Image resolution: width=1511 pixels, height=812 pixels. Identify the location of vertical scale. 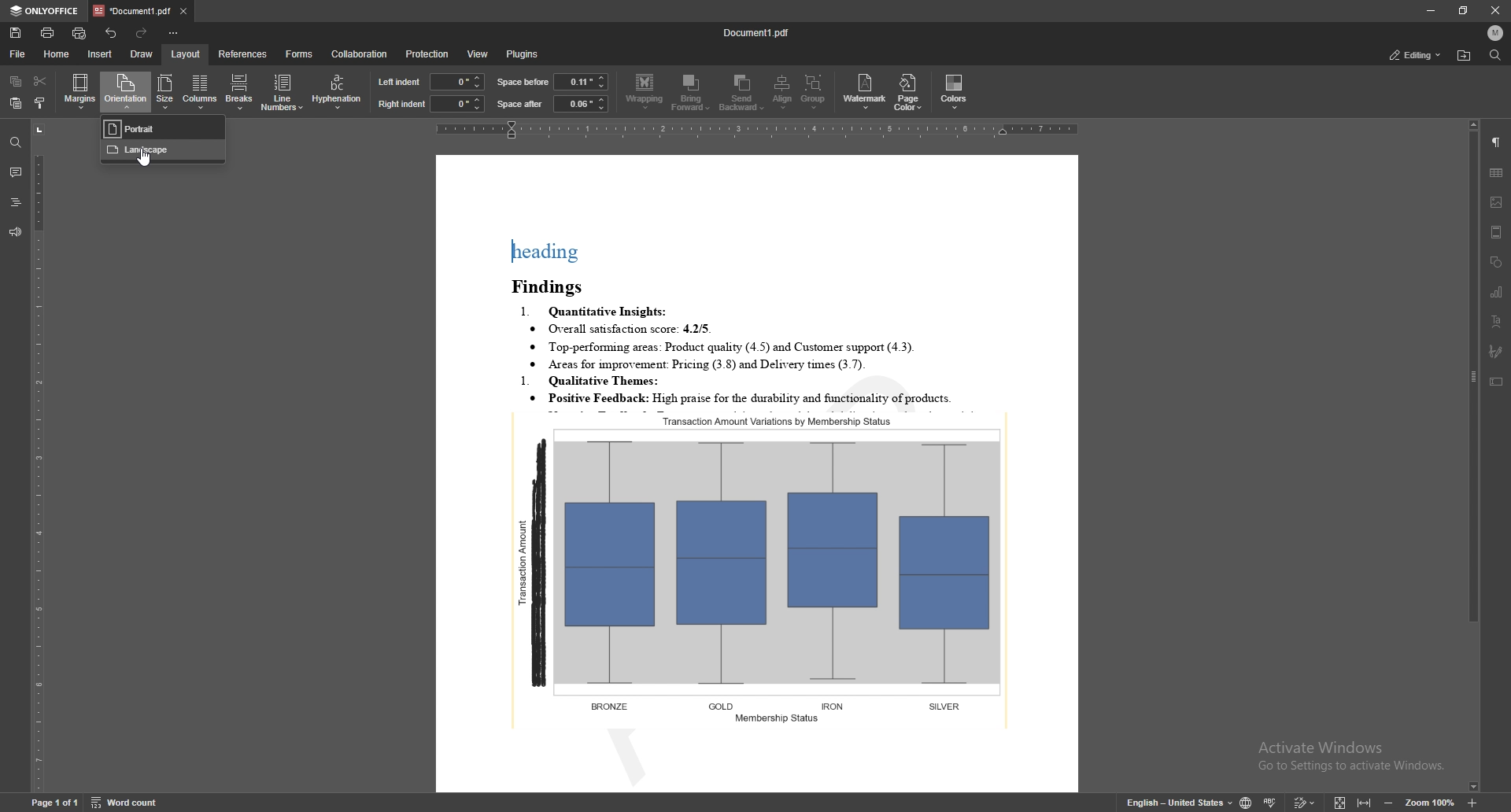
(39, 456).